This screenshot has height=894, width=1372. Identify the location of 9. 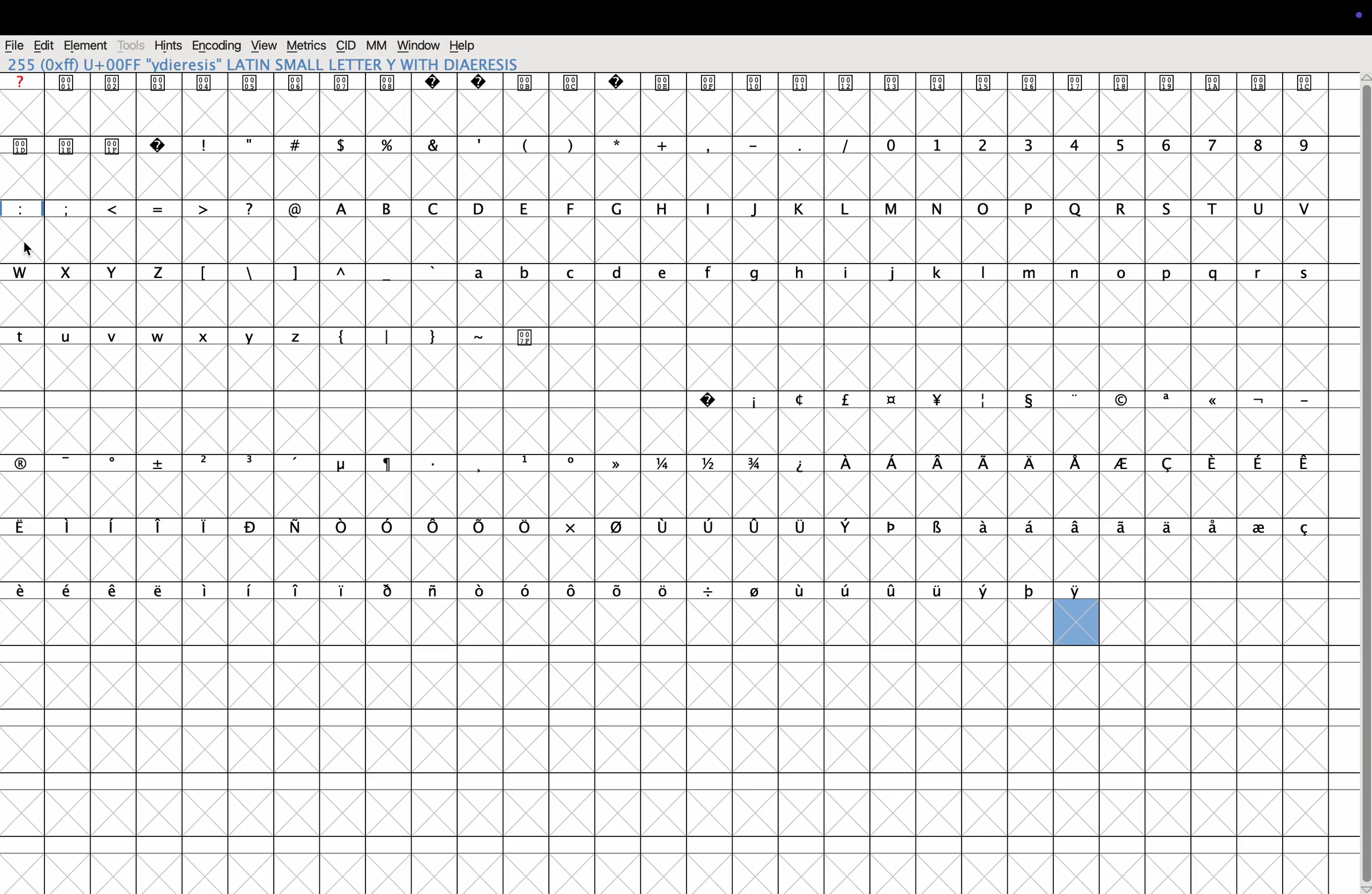
(1304, 168).